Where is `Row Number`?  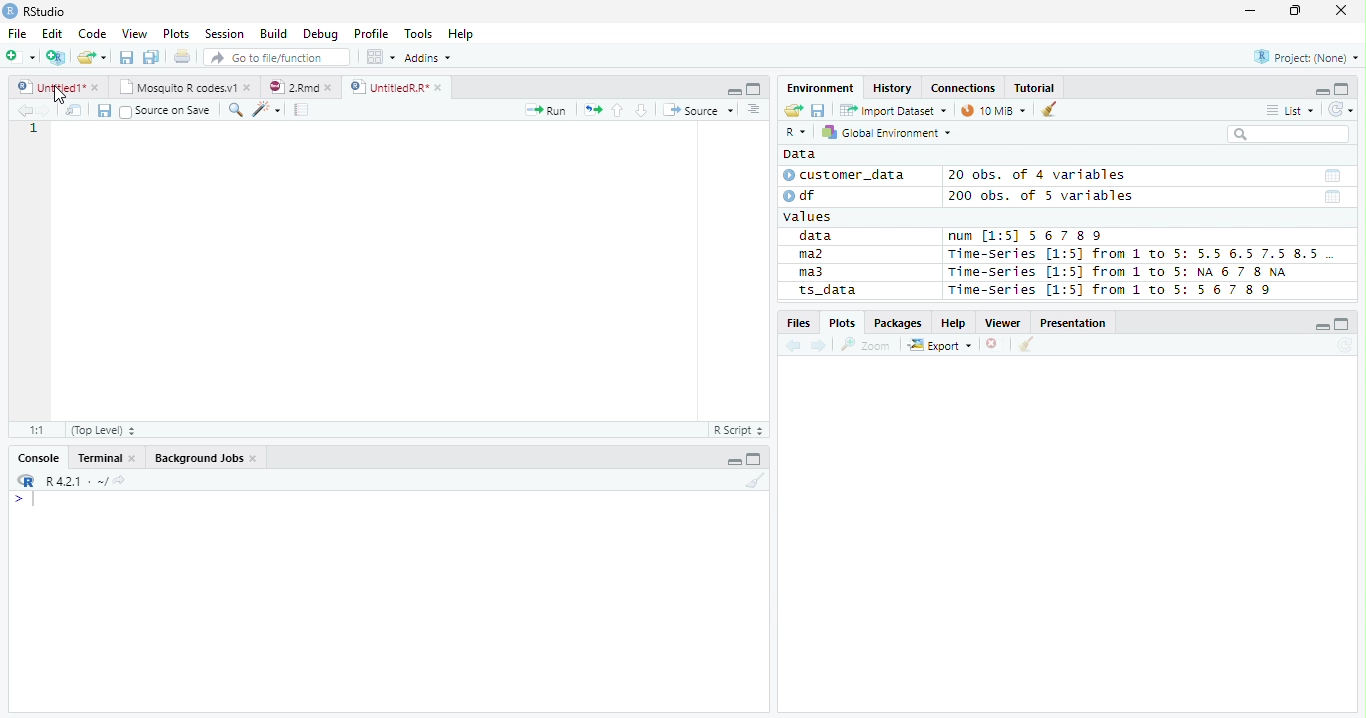 Row Number is located at coordinates (31, 130).